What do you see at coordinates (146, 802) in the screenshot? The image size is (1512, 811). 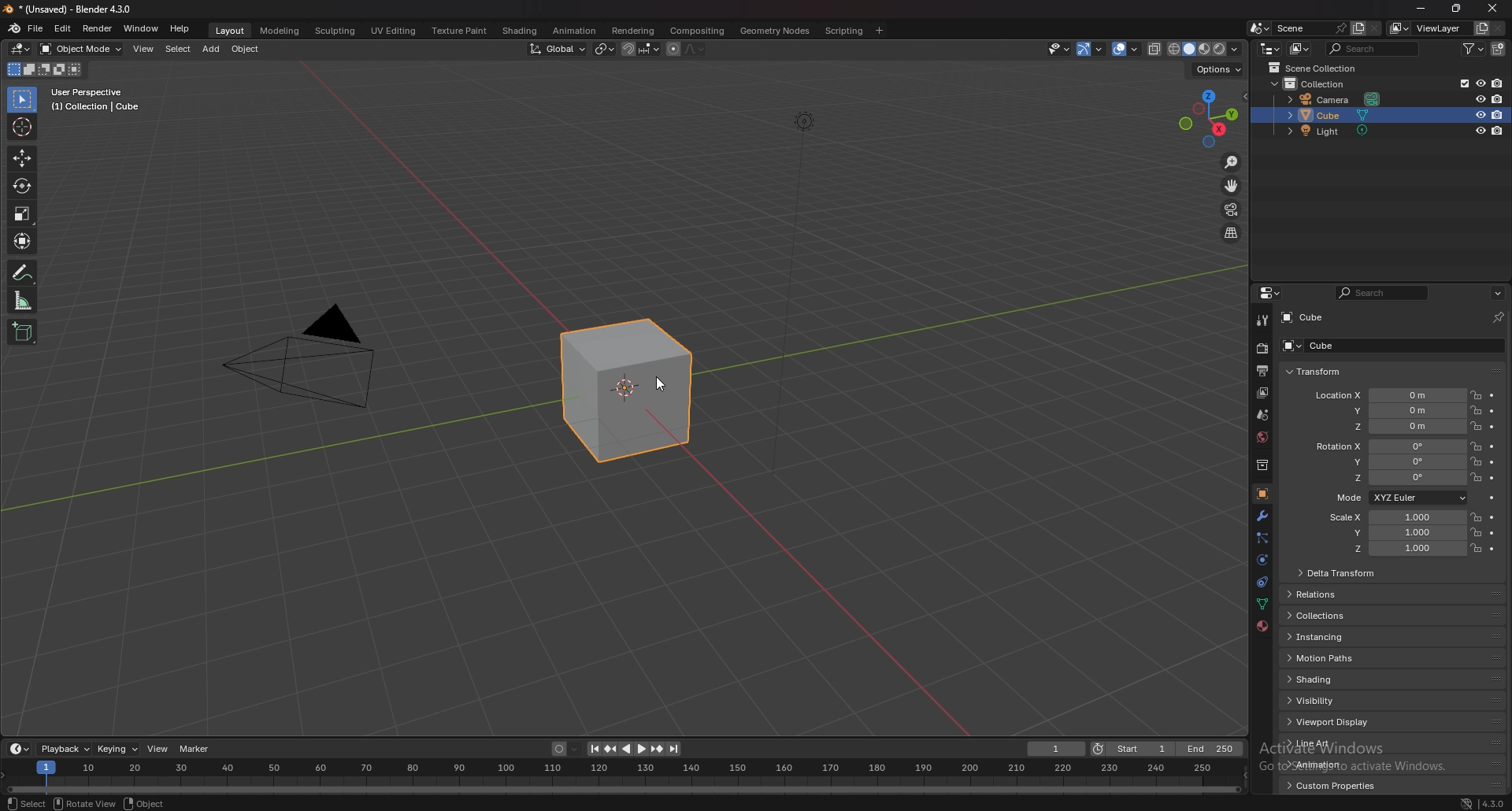 I see `object` at bounding box center [146, 802].